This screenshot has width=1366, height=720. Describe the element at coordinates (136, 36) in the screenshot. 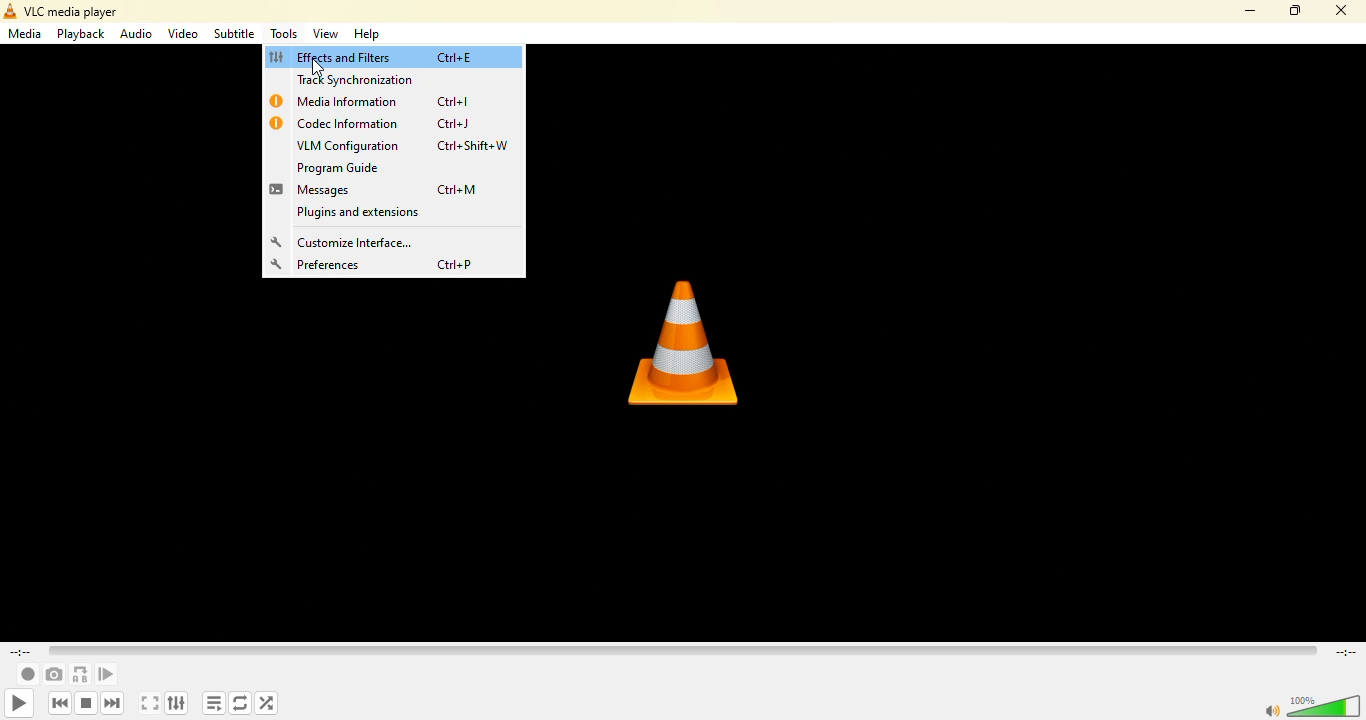

I see `audio` at that location.